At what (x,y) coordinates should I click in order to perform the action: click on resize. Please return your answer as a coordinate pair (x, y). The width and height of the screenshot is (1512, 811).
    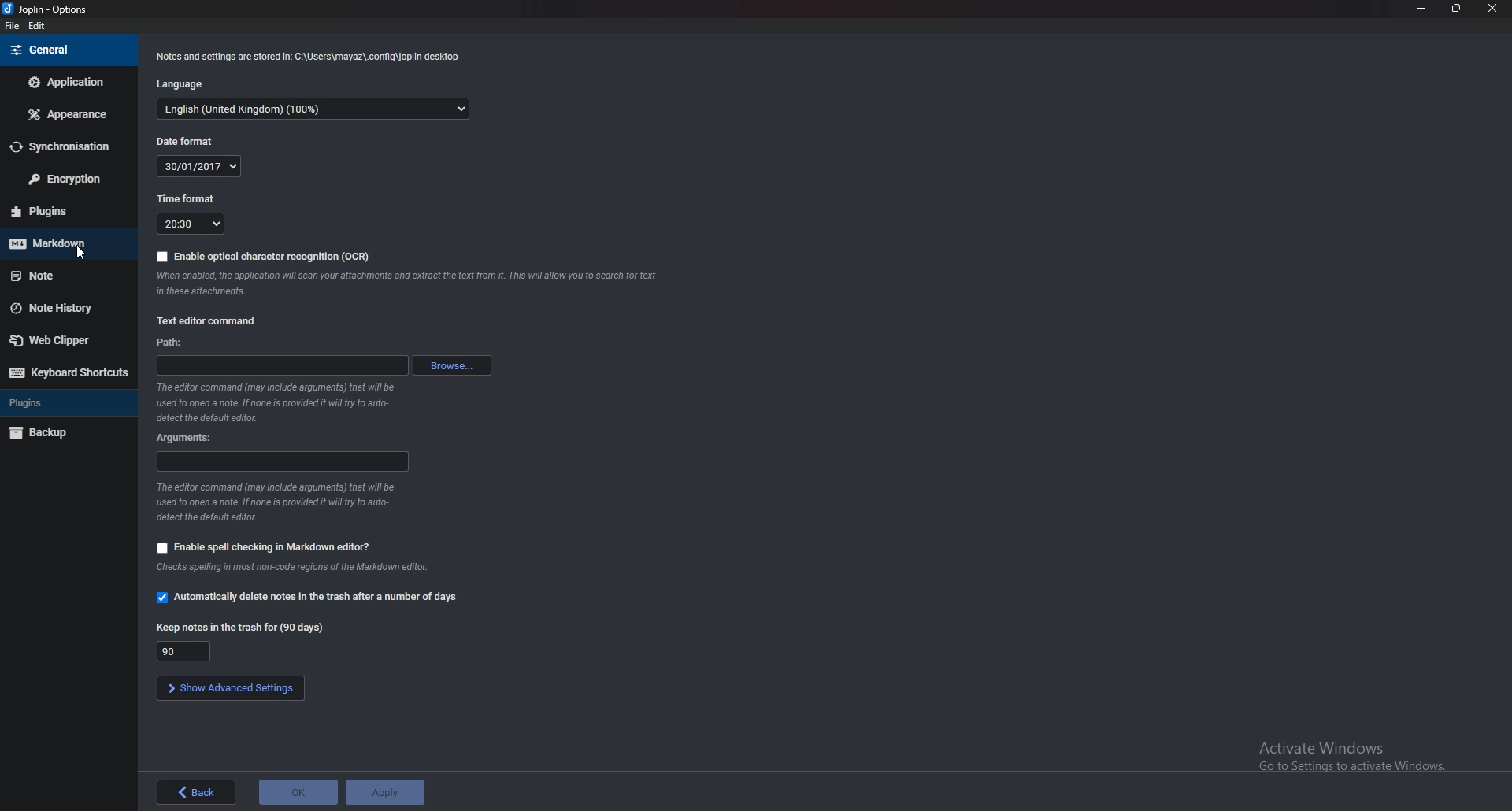
    Looking at the image, I should click on (1455, 9).